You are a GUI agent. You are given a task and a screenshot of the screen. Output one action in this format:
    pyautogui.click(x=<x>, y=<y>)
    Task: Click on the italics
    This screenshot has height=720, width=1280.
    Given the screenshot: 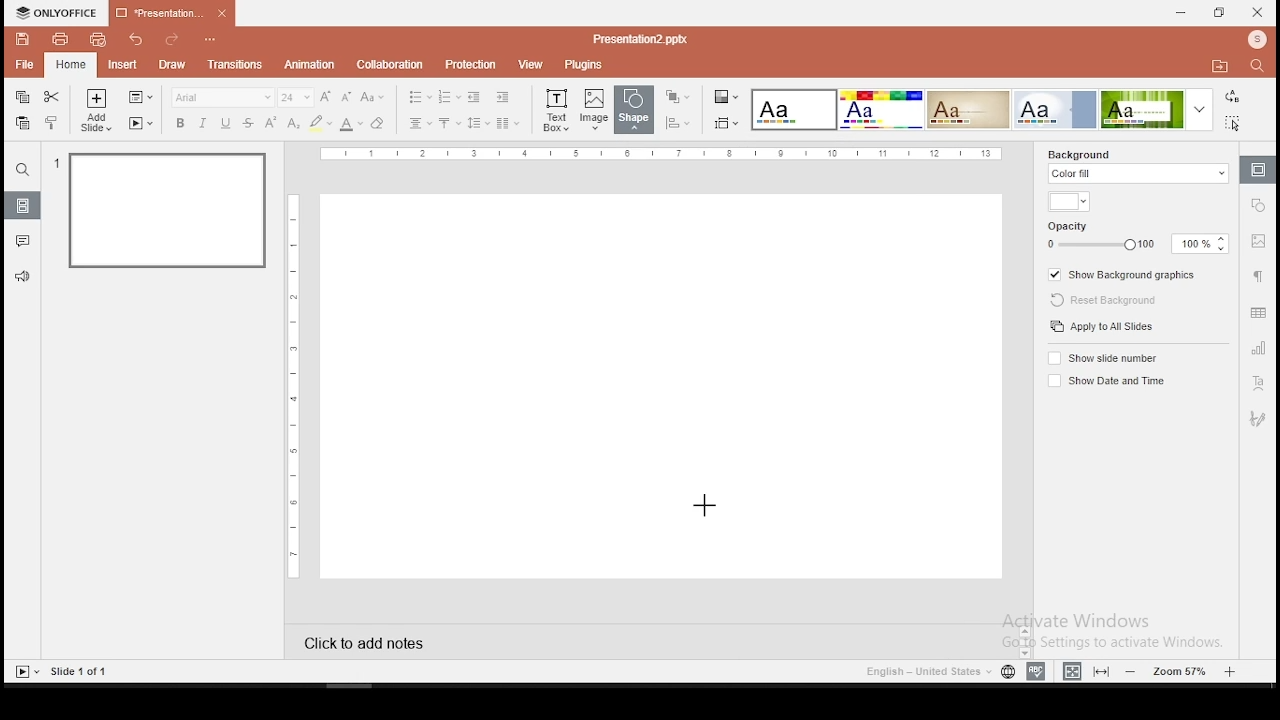 What is the action you would take?
    pyautogui.click(x=202, y=123)
    